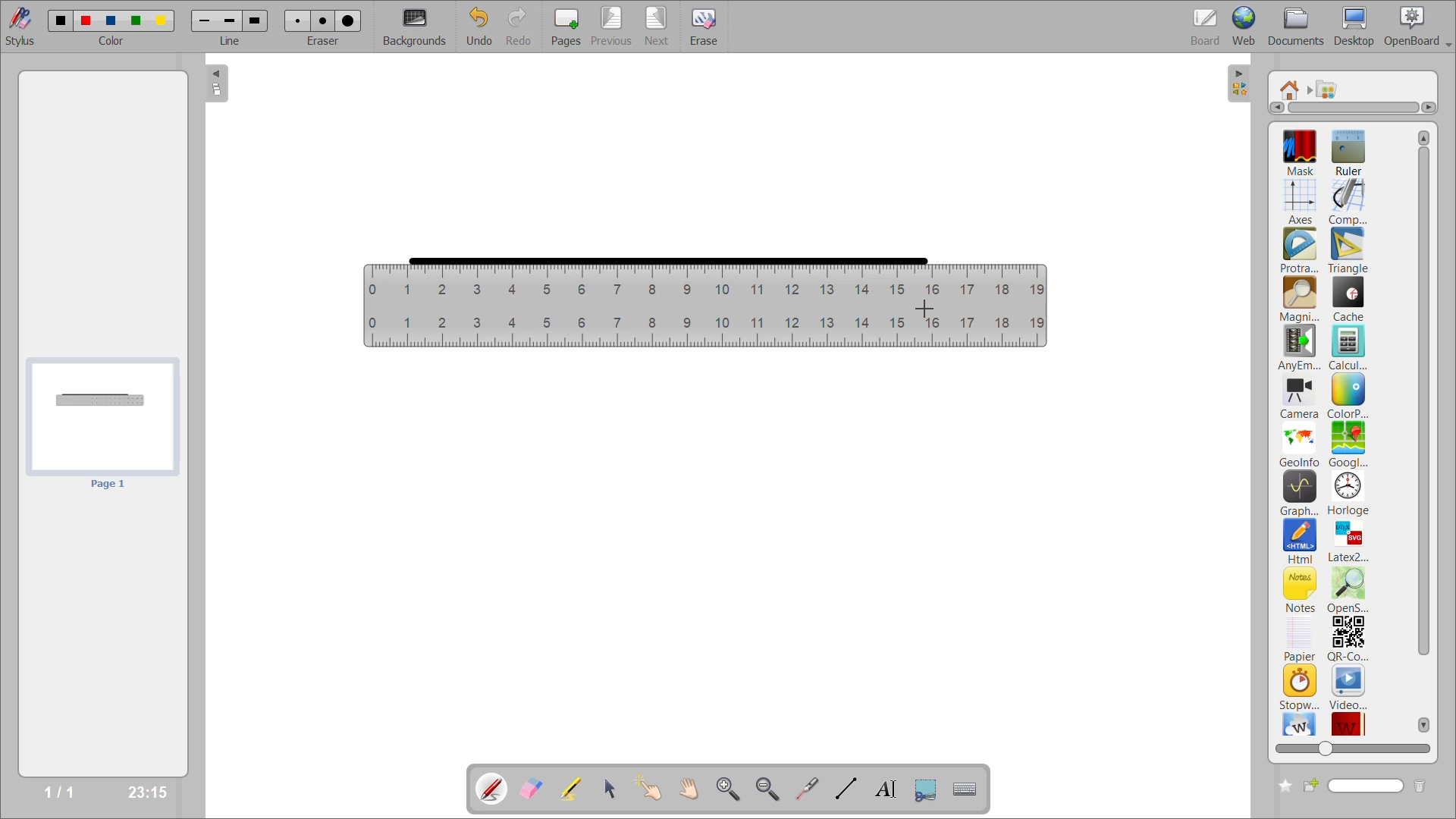 This screenshot has height=819, width=1456. Describe the element at coordinates (1301, 589) in the screenshot. I see `notes` at that location.